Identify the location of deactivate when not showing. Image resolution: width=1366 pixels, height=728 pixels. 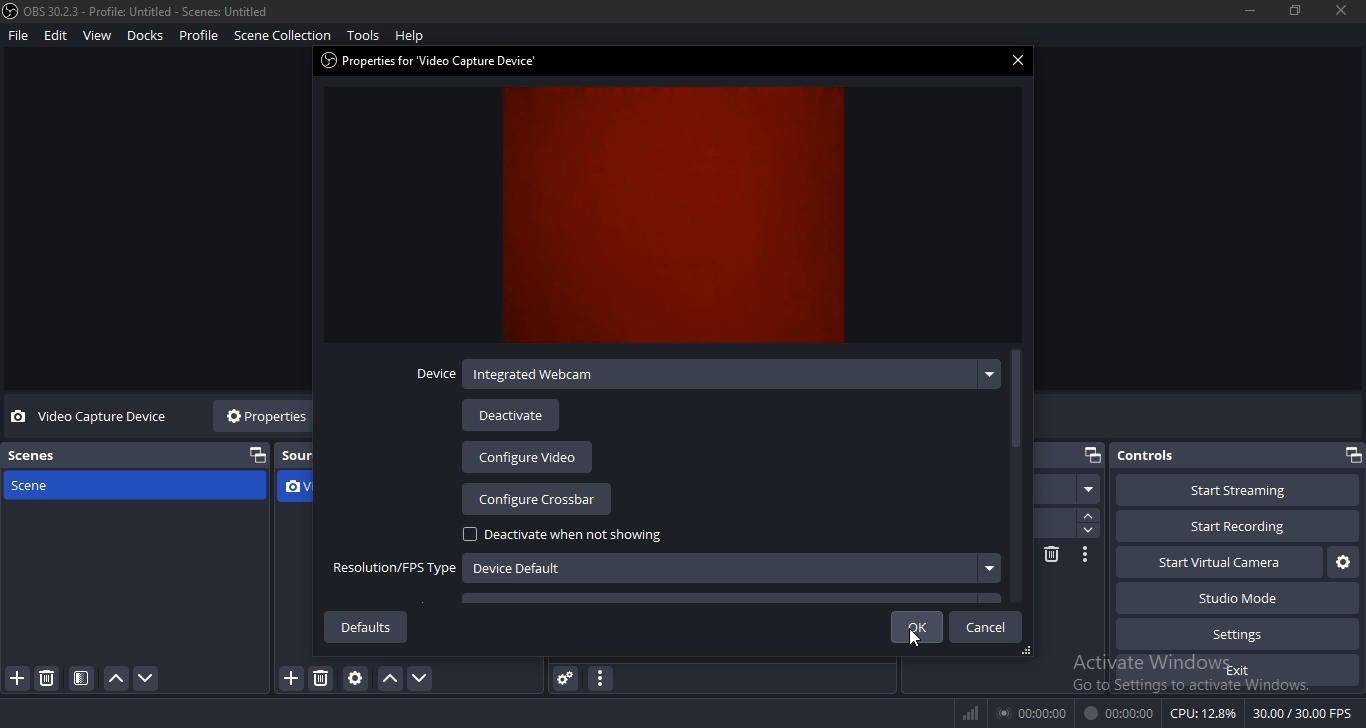
(564, 535).